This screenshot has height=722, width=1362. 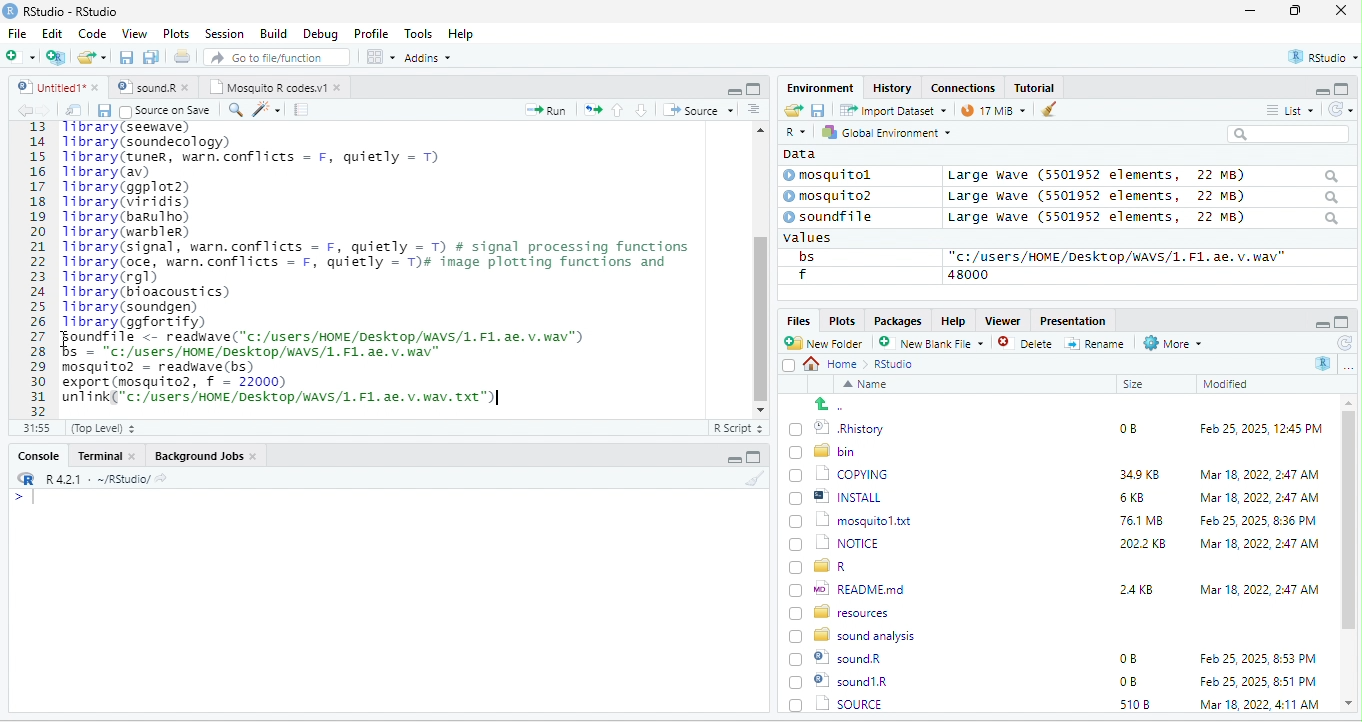 I want to click on + Source +, so click(x=698, y=109).